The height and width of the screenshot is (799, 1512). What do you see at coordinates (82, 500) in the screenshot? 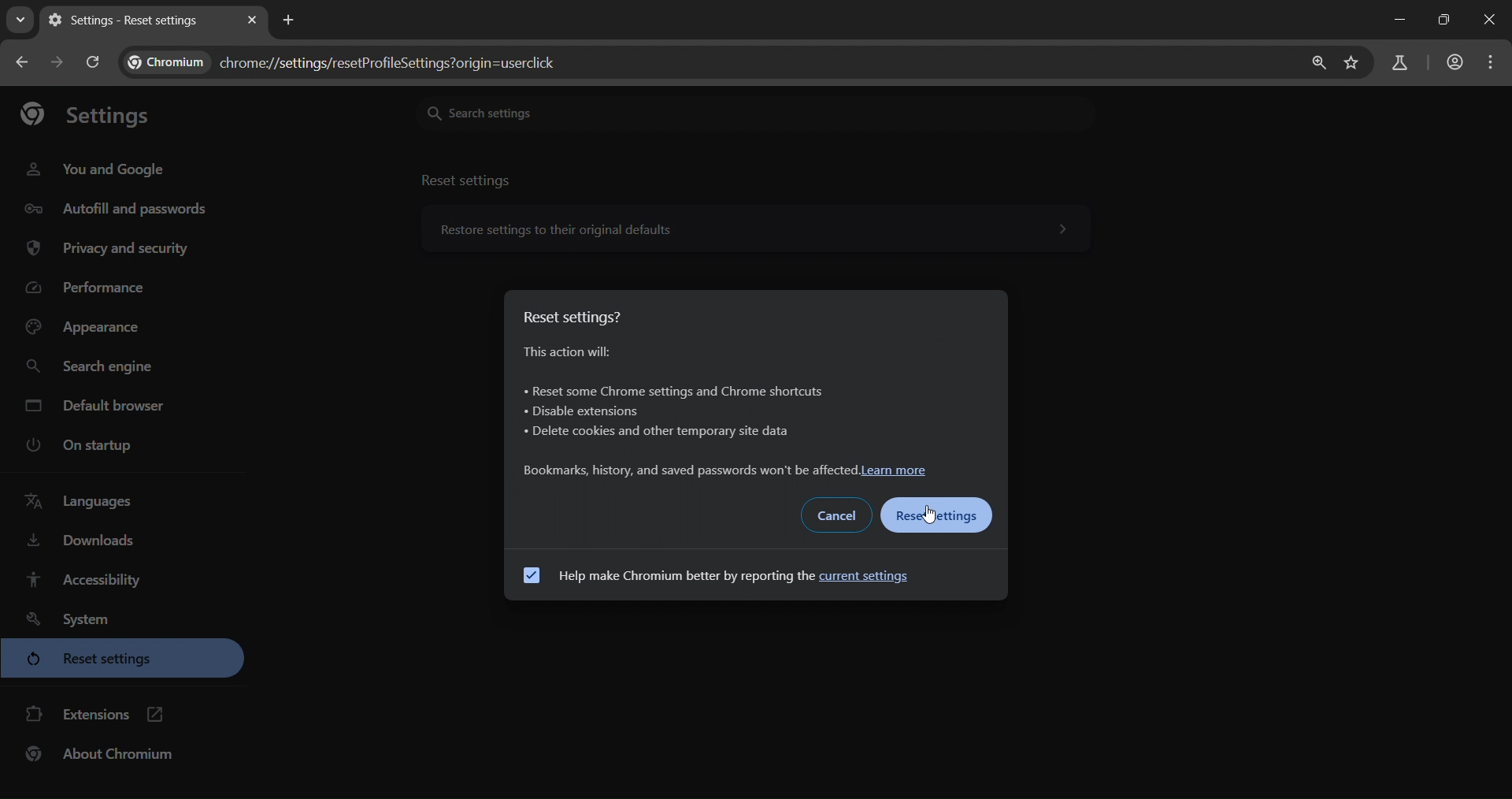
I see `languages` at bounding box center [82, 500].